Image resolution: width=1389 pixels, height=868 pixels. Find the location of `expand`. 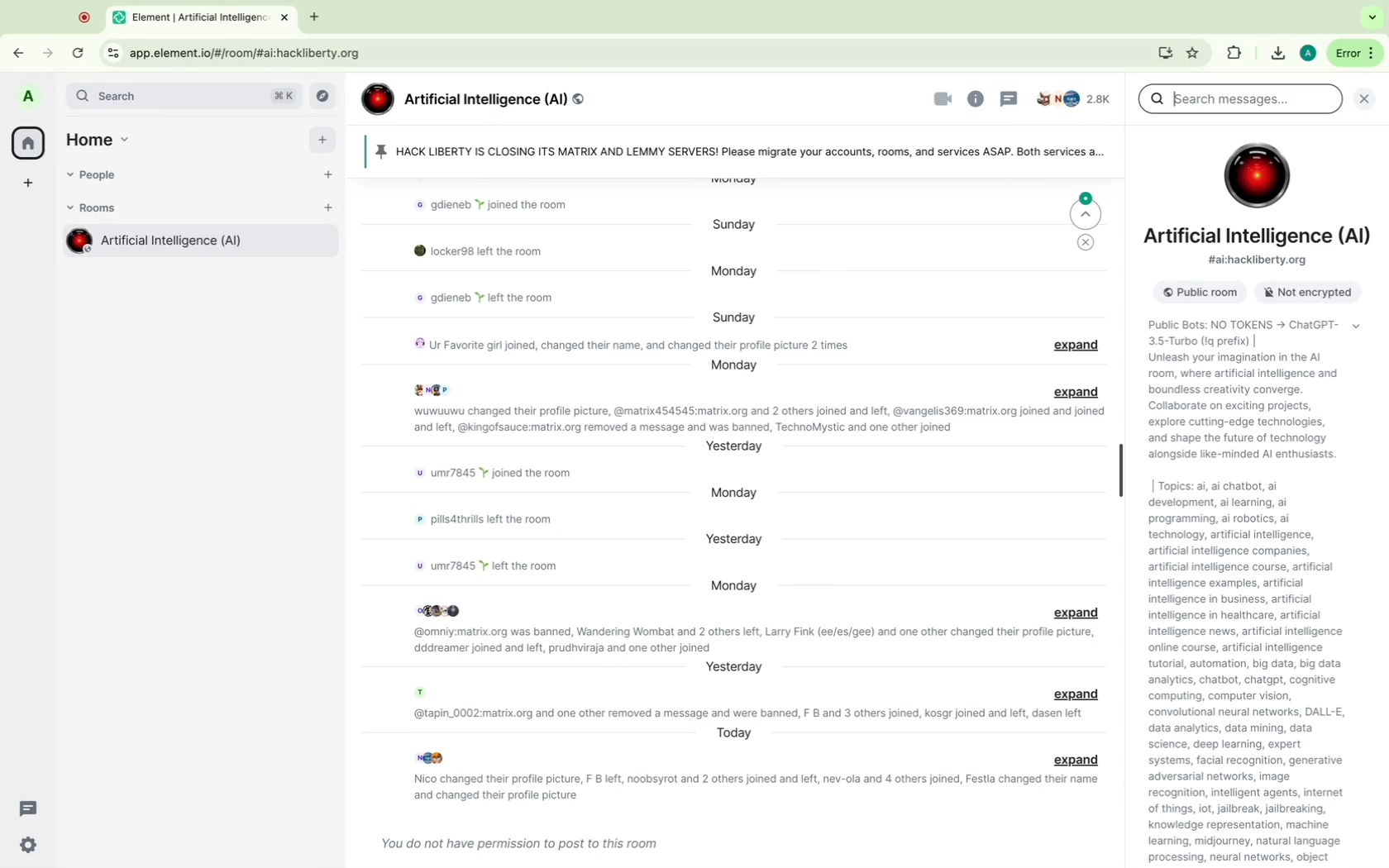

expand is located at coordinates (1075, 760).